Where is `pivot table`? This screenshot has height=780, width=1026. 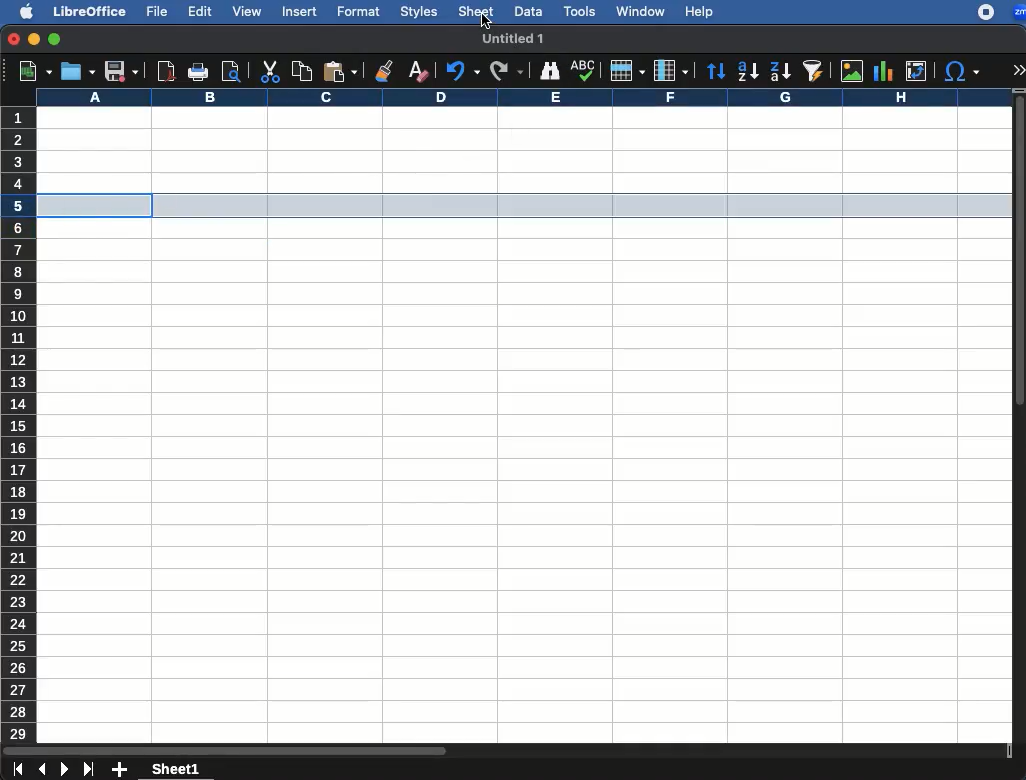
pivot table is located at coordinates (914, 70).